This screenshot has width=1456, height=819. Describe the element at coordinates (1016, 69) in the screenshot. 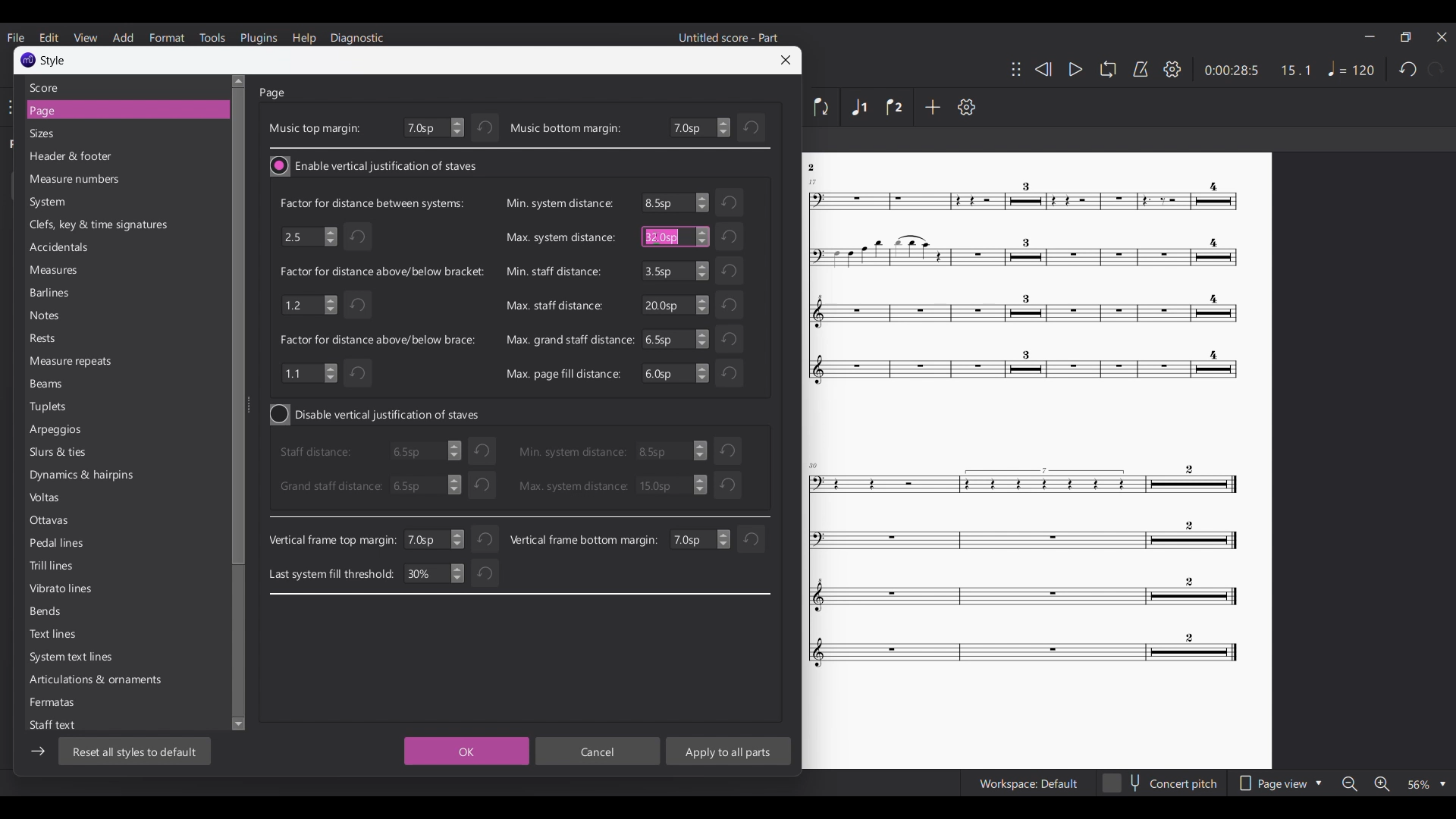

I see `Change toolbar position` at that location.